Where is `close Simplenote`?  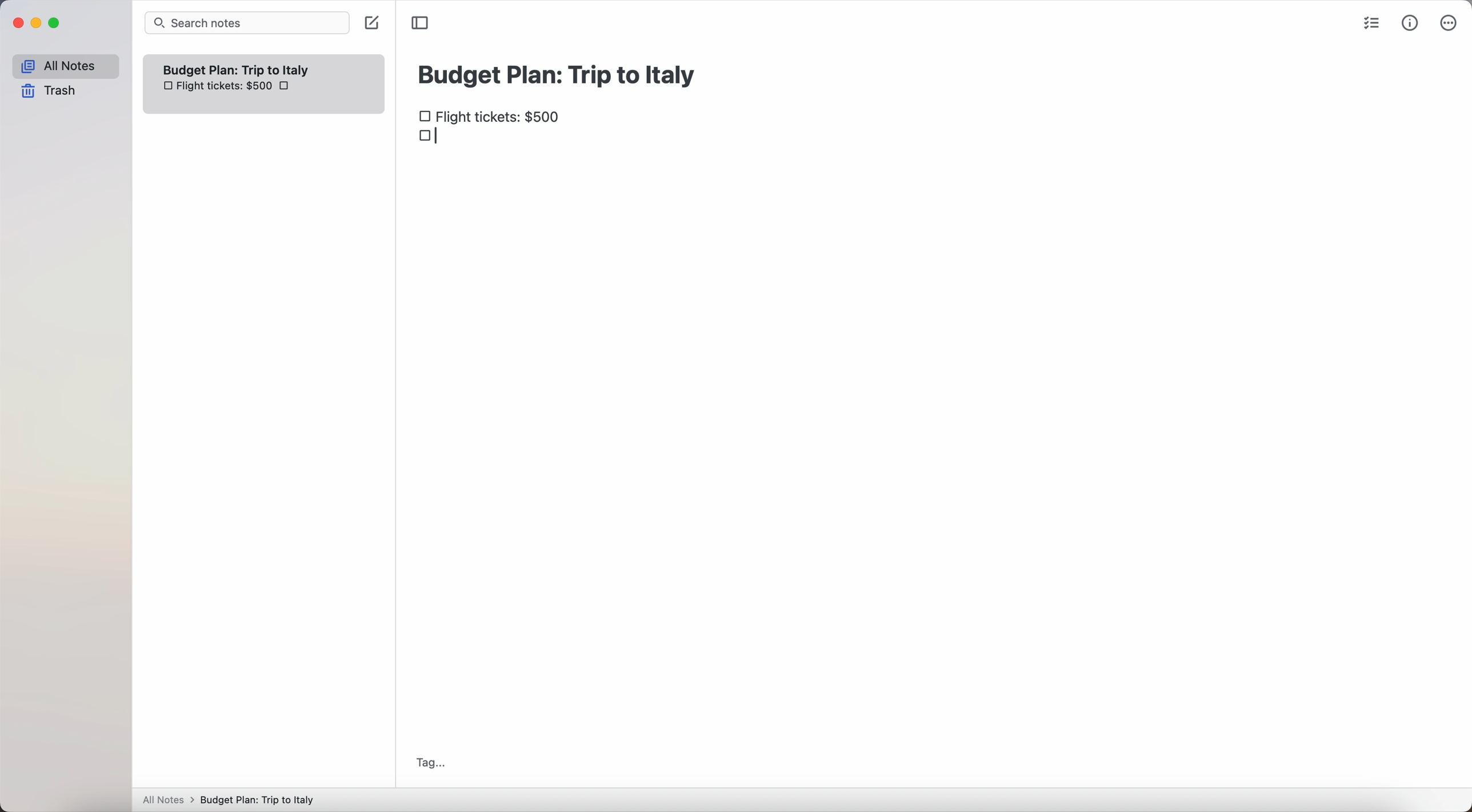
close Simplenote is located at coordinates (18, 23).